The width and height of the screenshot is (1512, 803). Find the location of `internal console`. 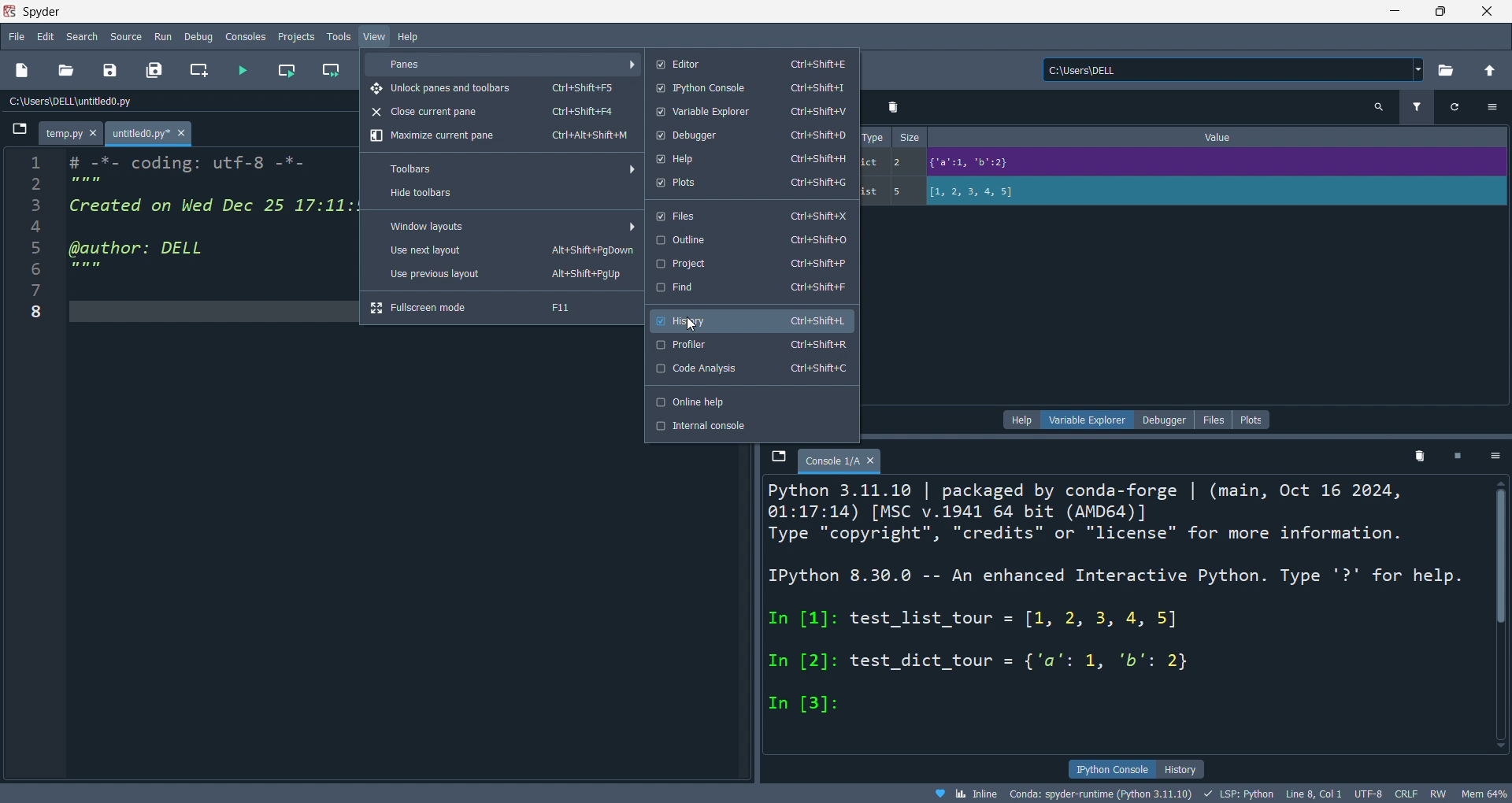

internal console is located at coordinates (750, 426).